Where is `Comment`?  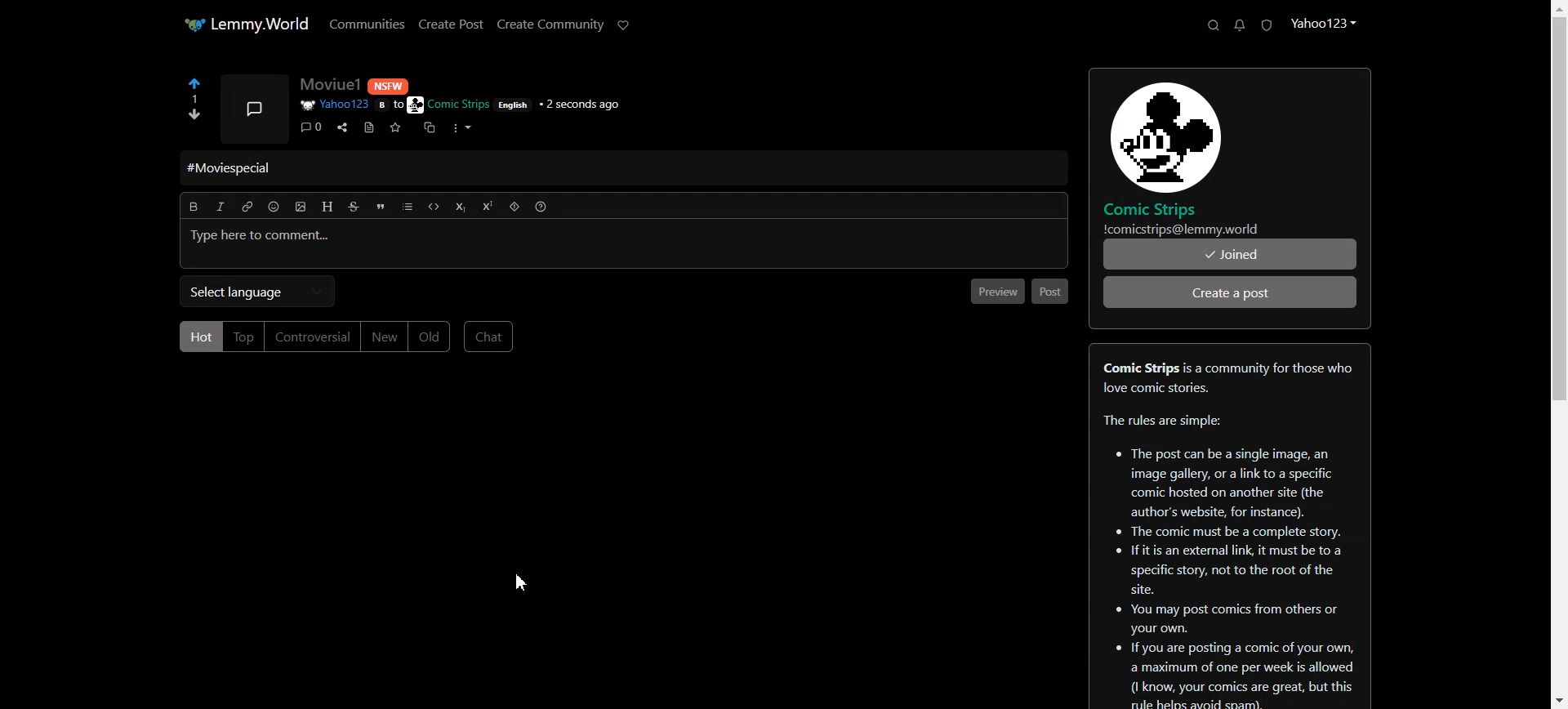 Comment is located at coordinates (311, 127).